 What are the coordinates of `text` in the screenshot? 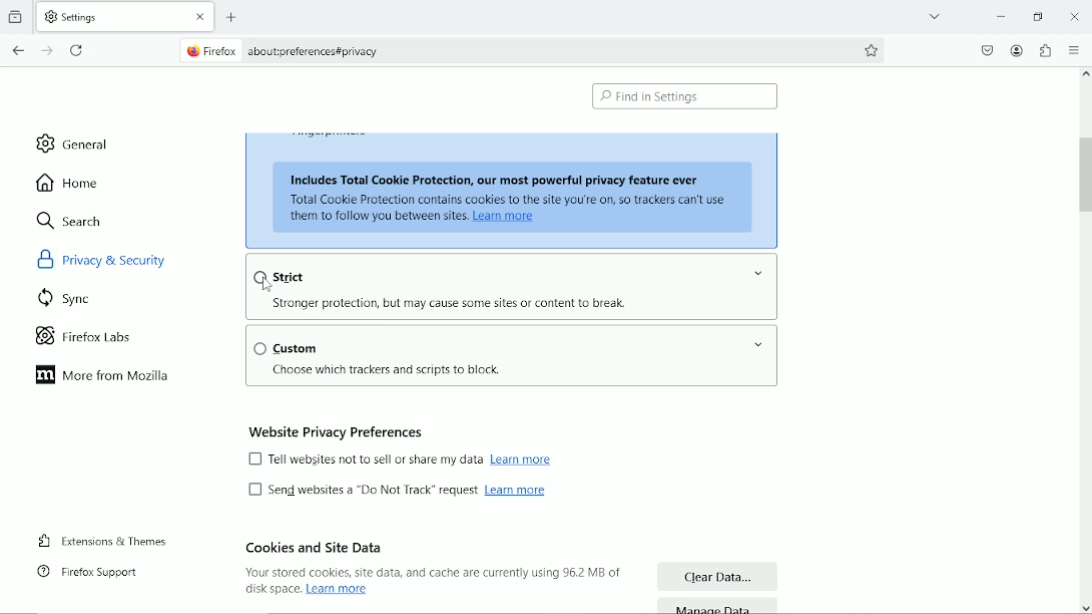 It's located at (506, 198).